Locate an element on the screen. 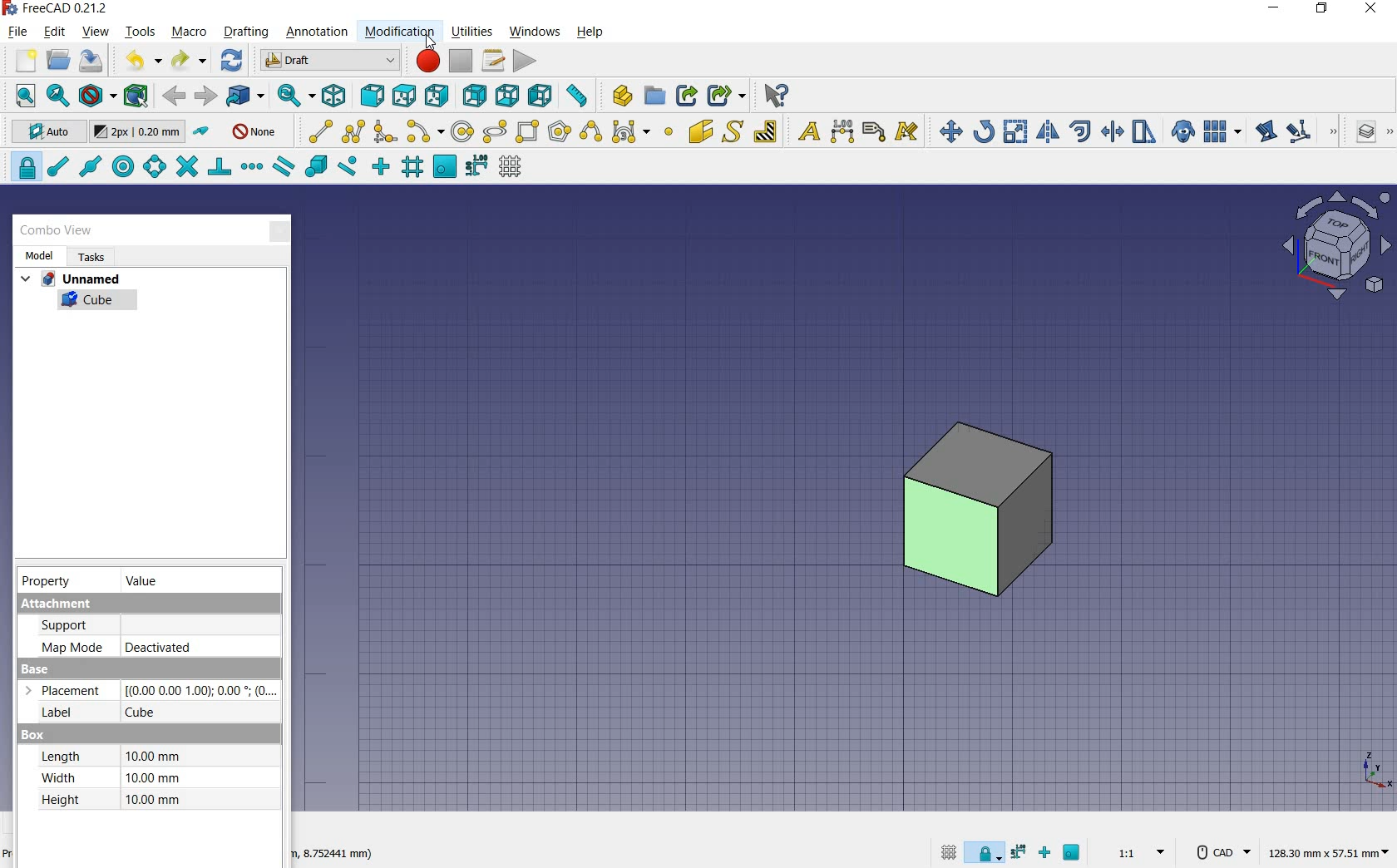  macro recording is located at coordinates (427, 62).